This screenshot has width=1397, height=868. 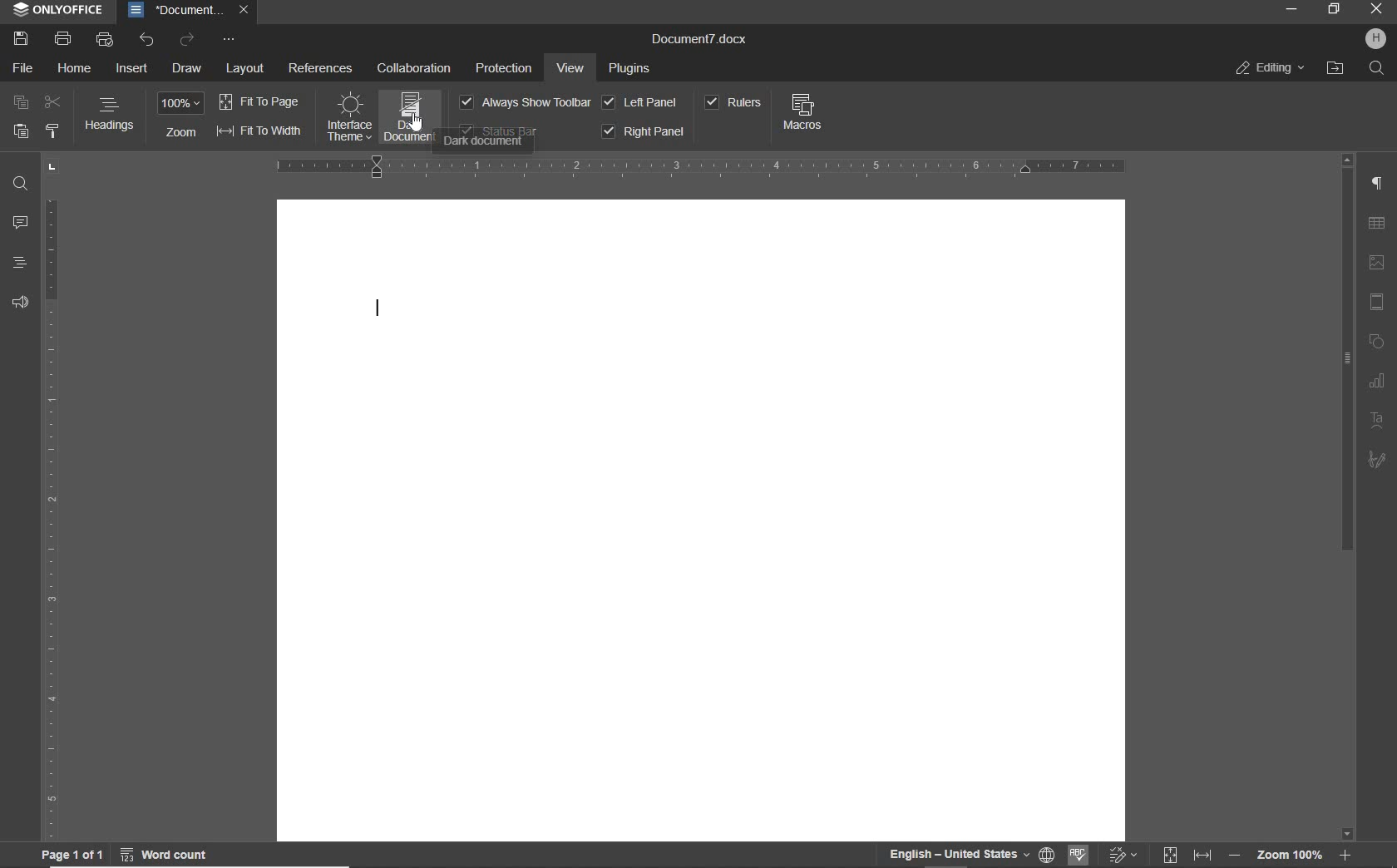 What do you see at coordinates (1337, 70) in the screenshot?
I see `OPEN FILE LOCATION` at bounding box center [1337, 70].